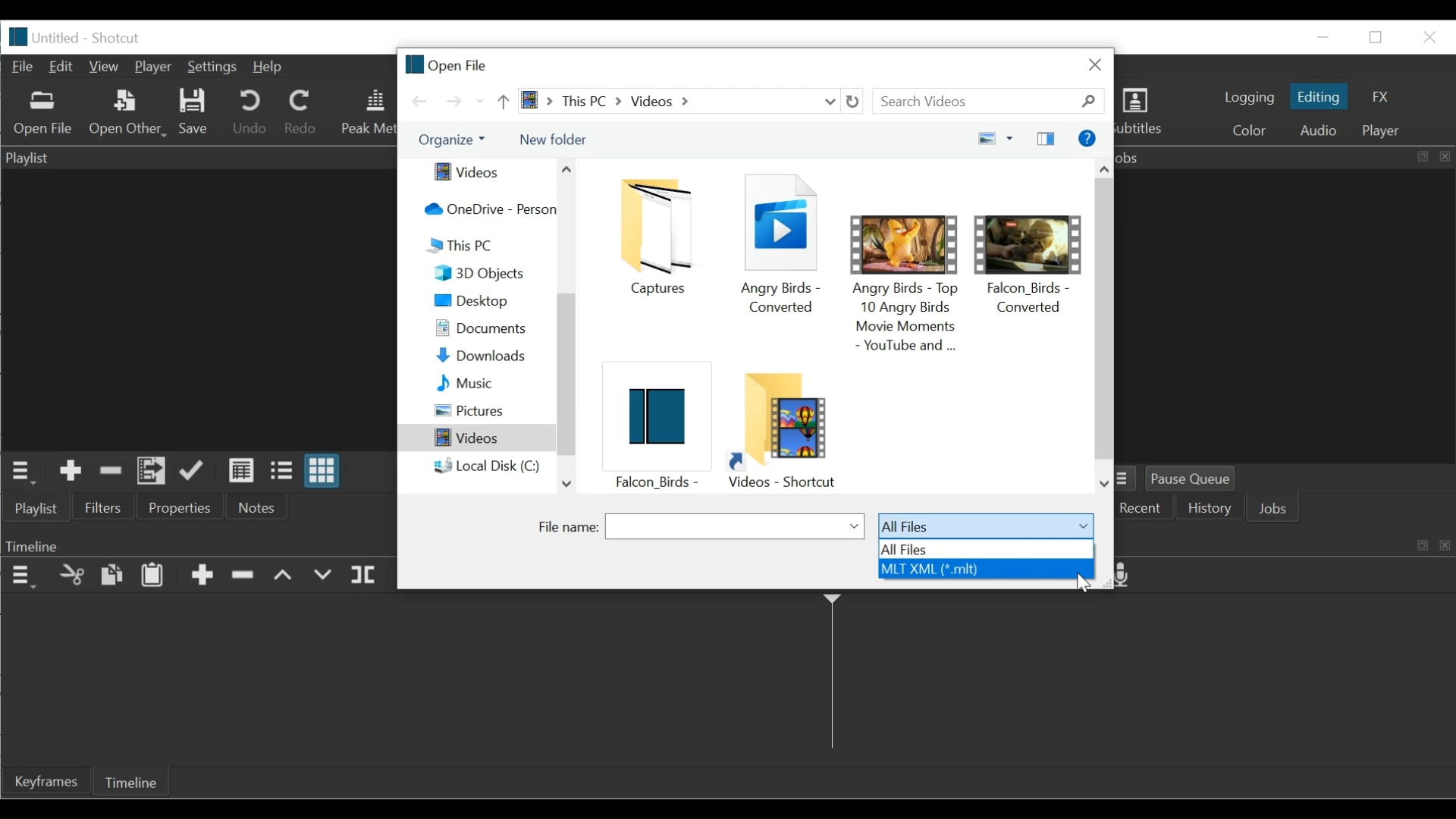 The image size is (1456, 819). What do you see at coordinates (1048, 138) in the screenshot?
I see `Show the preview pane` at bounding box center [1048, 138].